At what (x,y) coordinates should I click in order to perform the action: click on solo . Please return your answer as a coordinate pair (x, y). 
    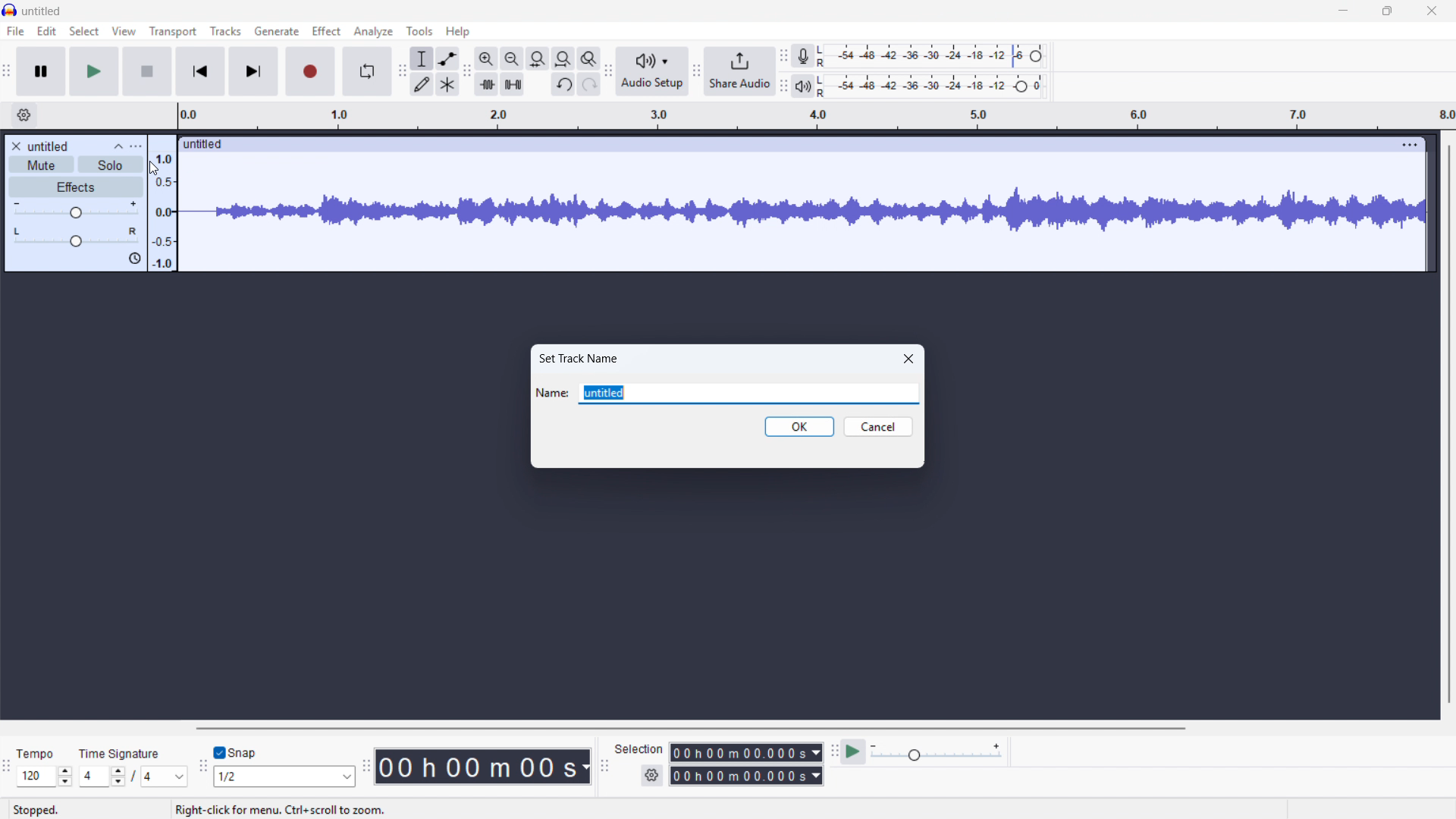
    Looking at the image, I should click on (111, 165).